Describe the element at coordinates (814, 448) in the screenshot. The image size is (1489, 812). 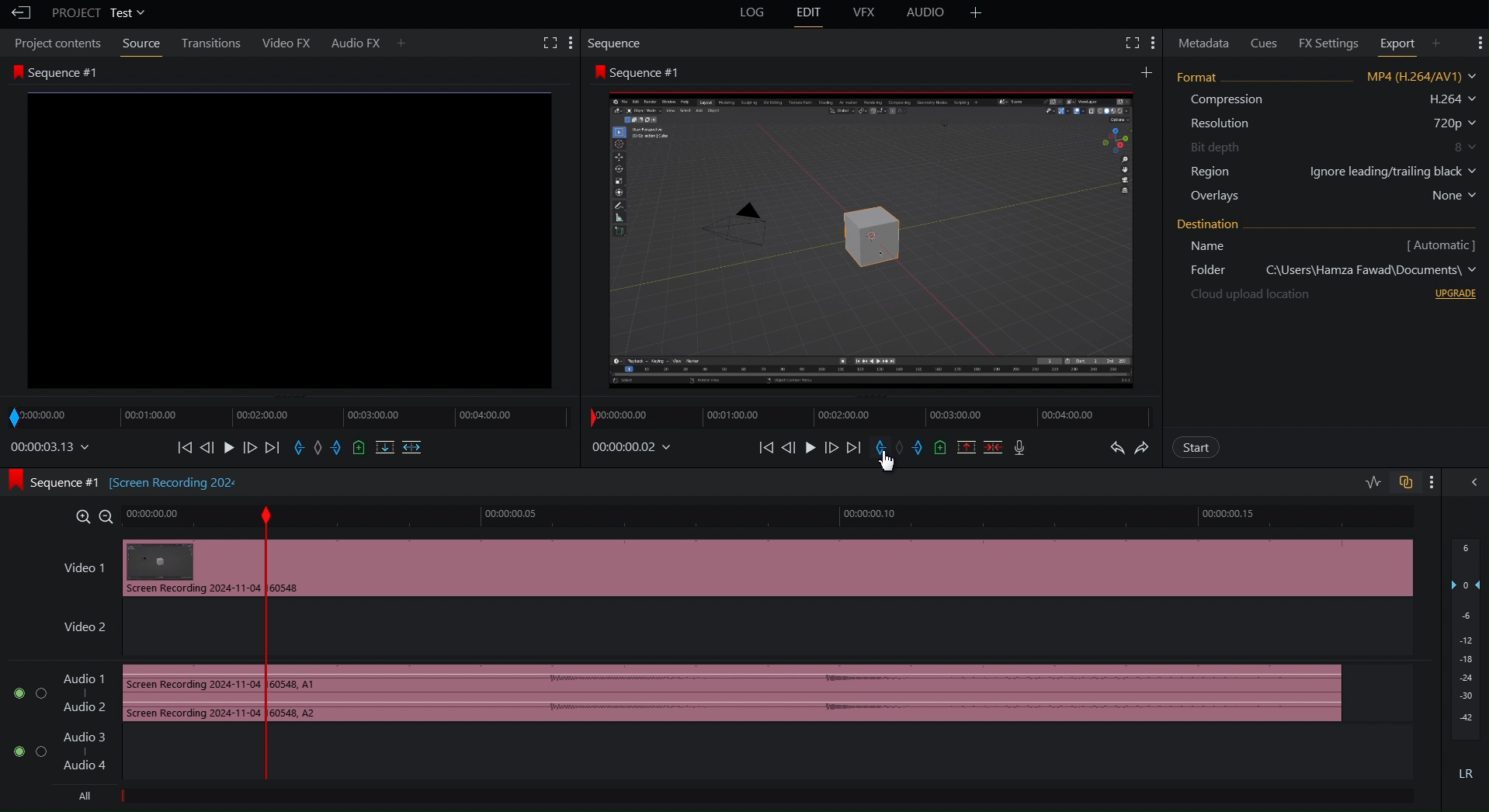
I see `Play` at that location.